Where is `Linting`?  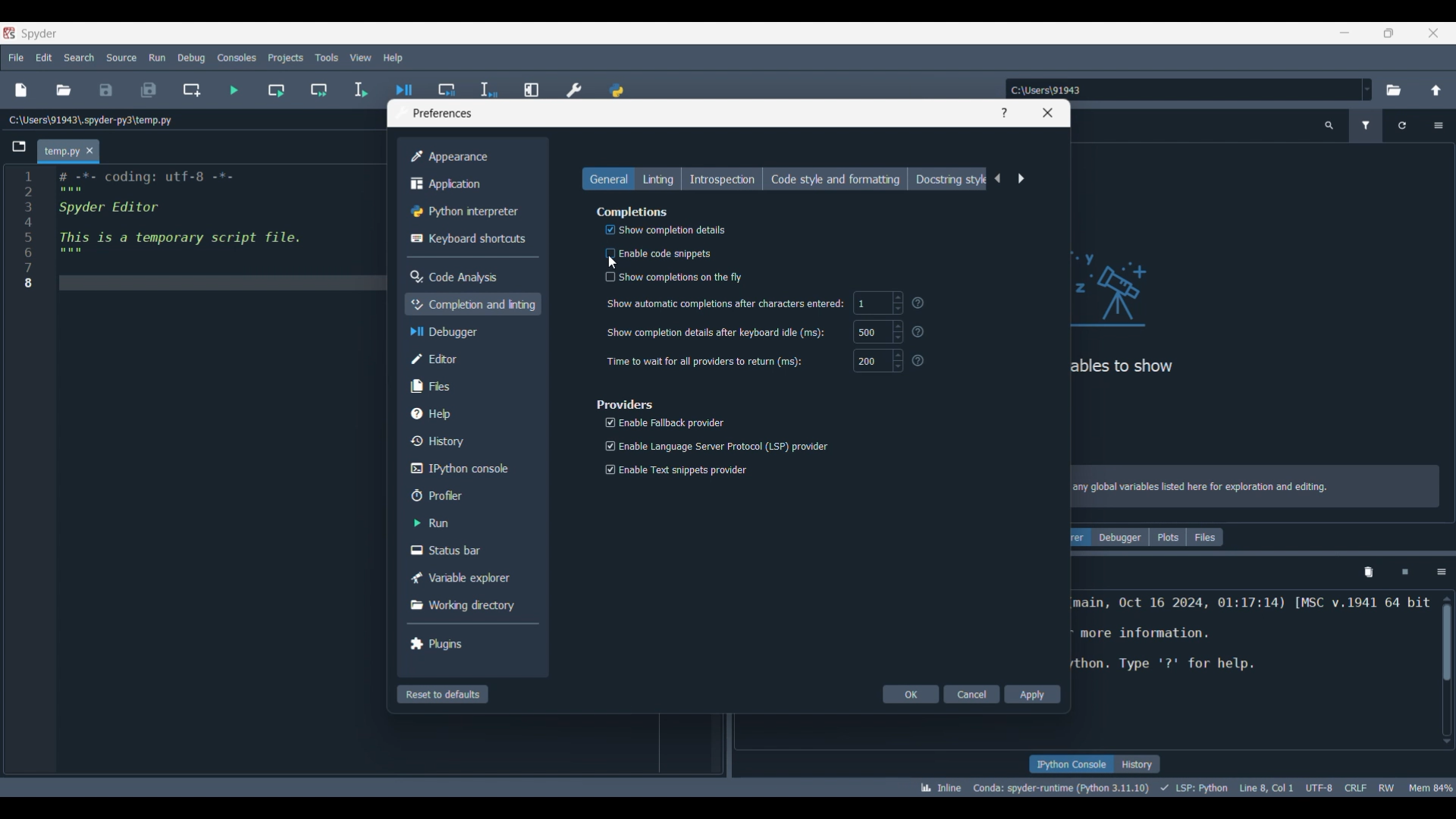
Linting is located at coordinates (657, 178).